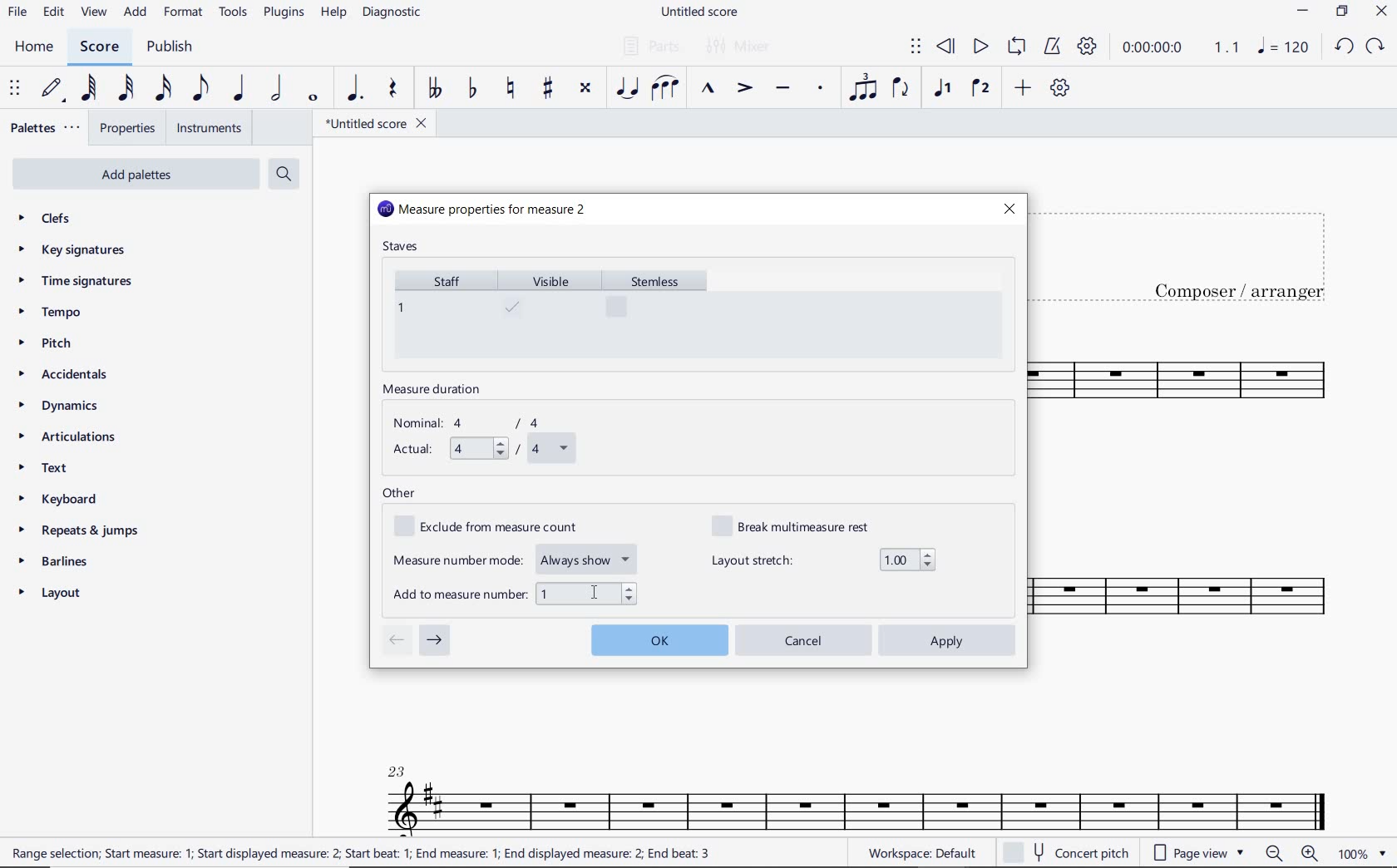 This screenshot has width=1397, height=868. What do you see at coordinates (435, 641) in the screenshot?
I see `go to next measure` at bounding box center [435, 641].